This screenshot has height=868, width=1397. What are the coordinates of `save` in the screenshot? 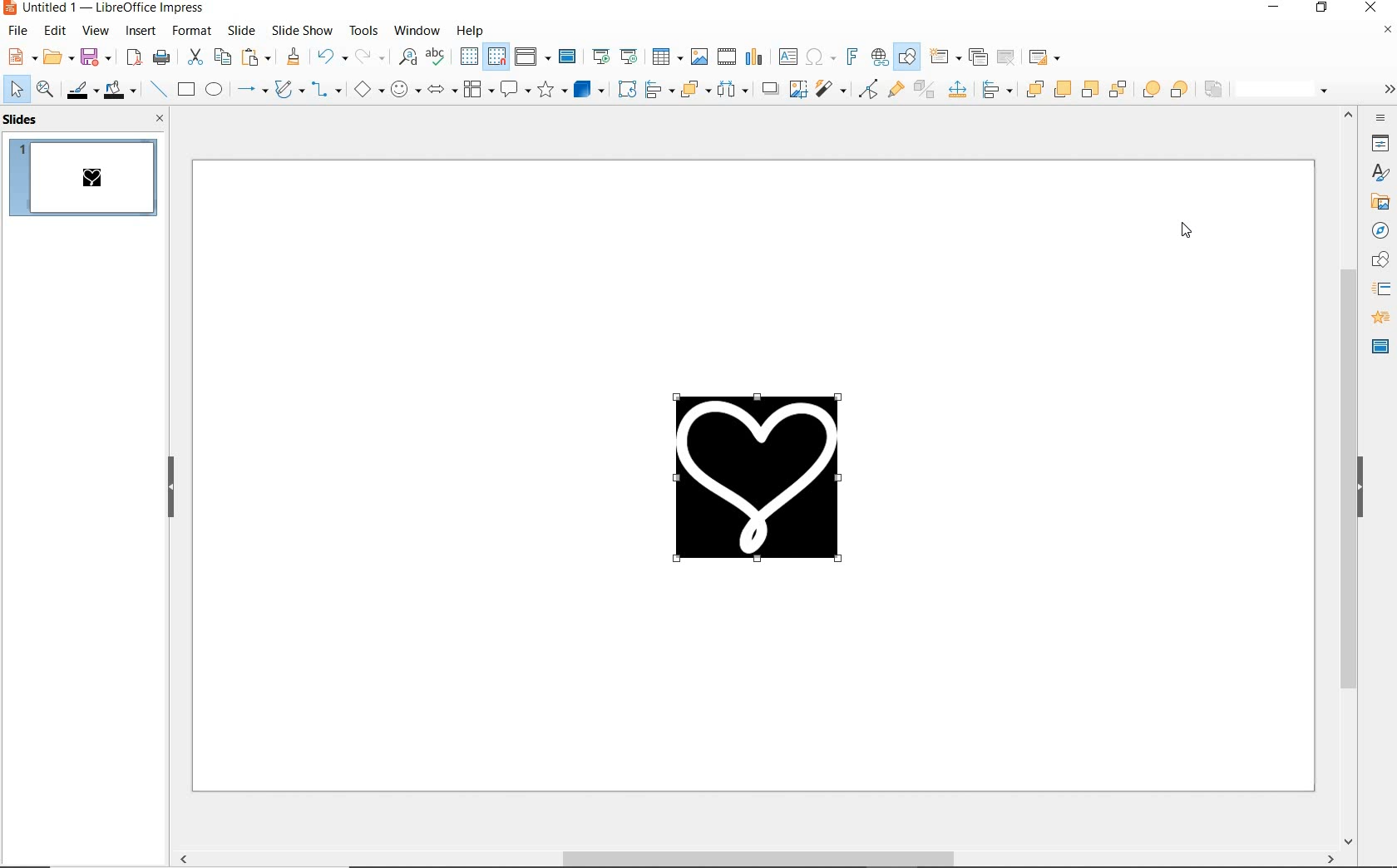 It's located at (96, 57).